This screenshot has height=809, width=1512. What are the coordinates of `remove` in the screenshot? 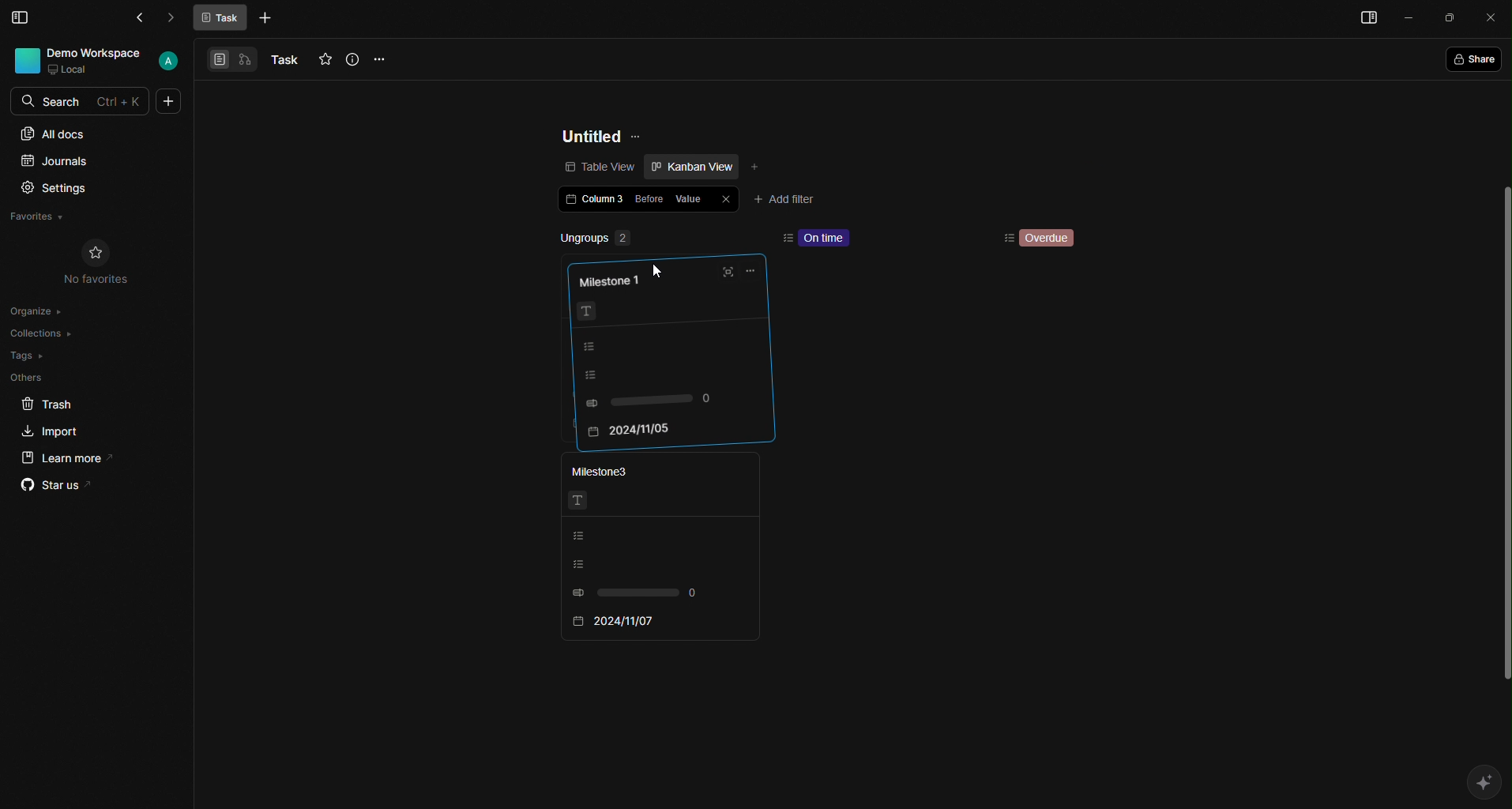 It's located at (748, 237).